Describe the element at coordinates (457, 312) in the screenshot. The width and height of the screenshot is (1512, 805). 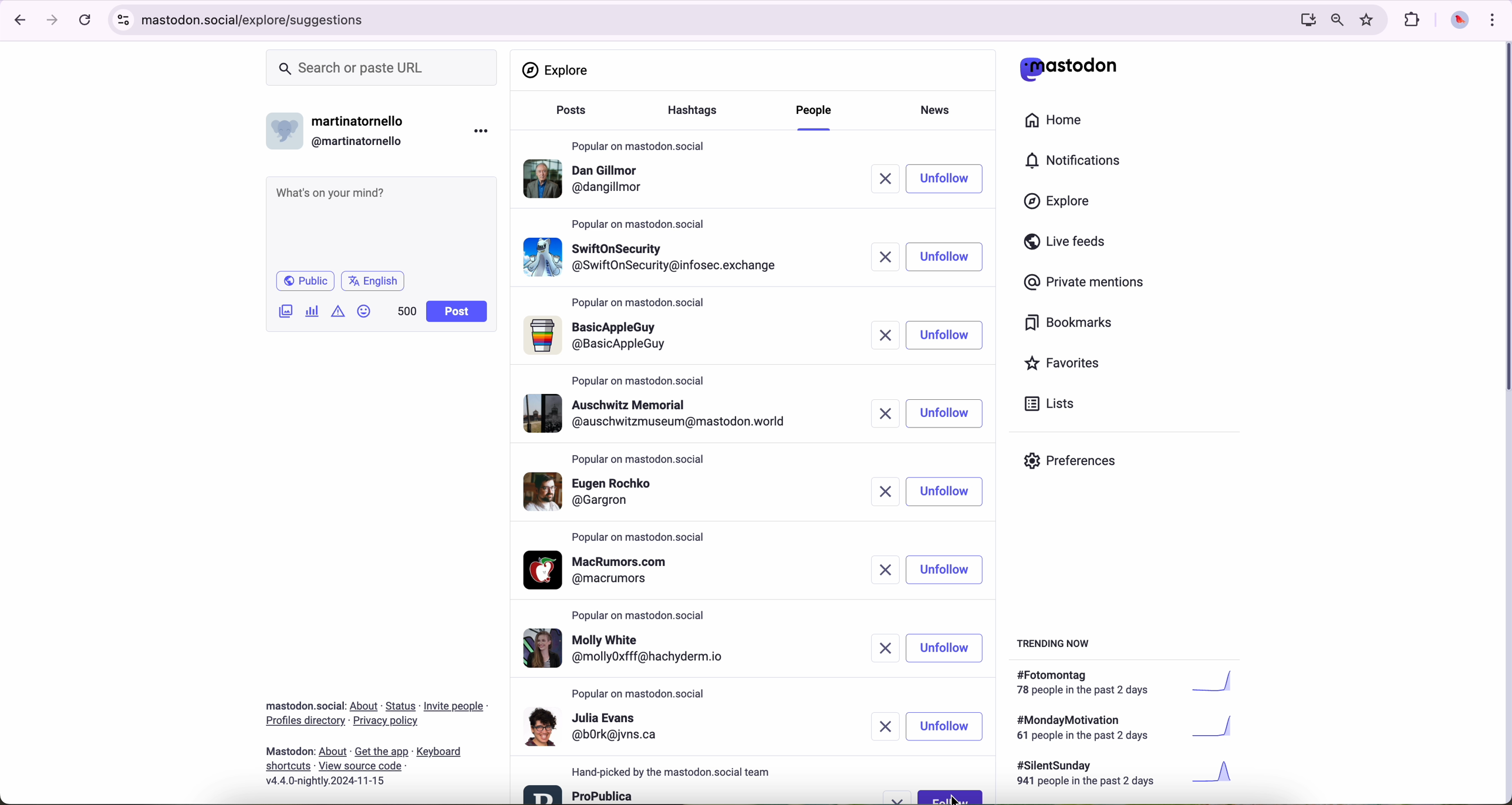
I see `post button` at that location.